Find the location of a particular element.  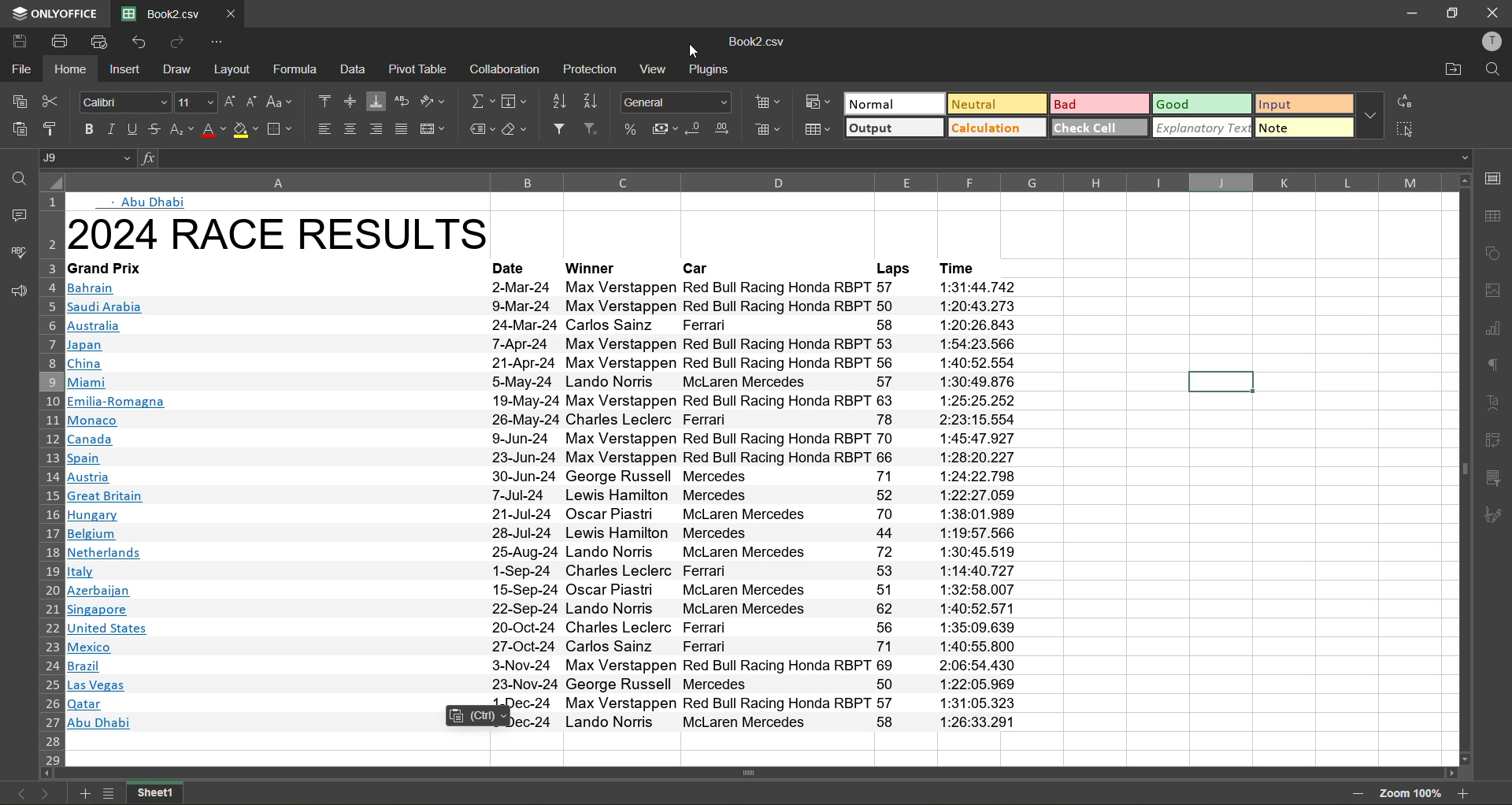

winner is located at coordinates (596, 267).